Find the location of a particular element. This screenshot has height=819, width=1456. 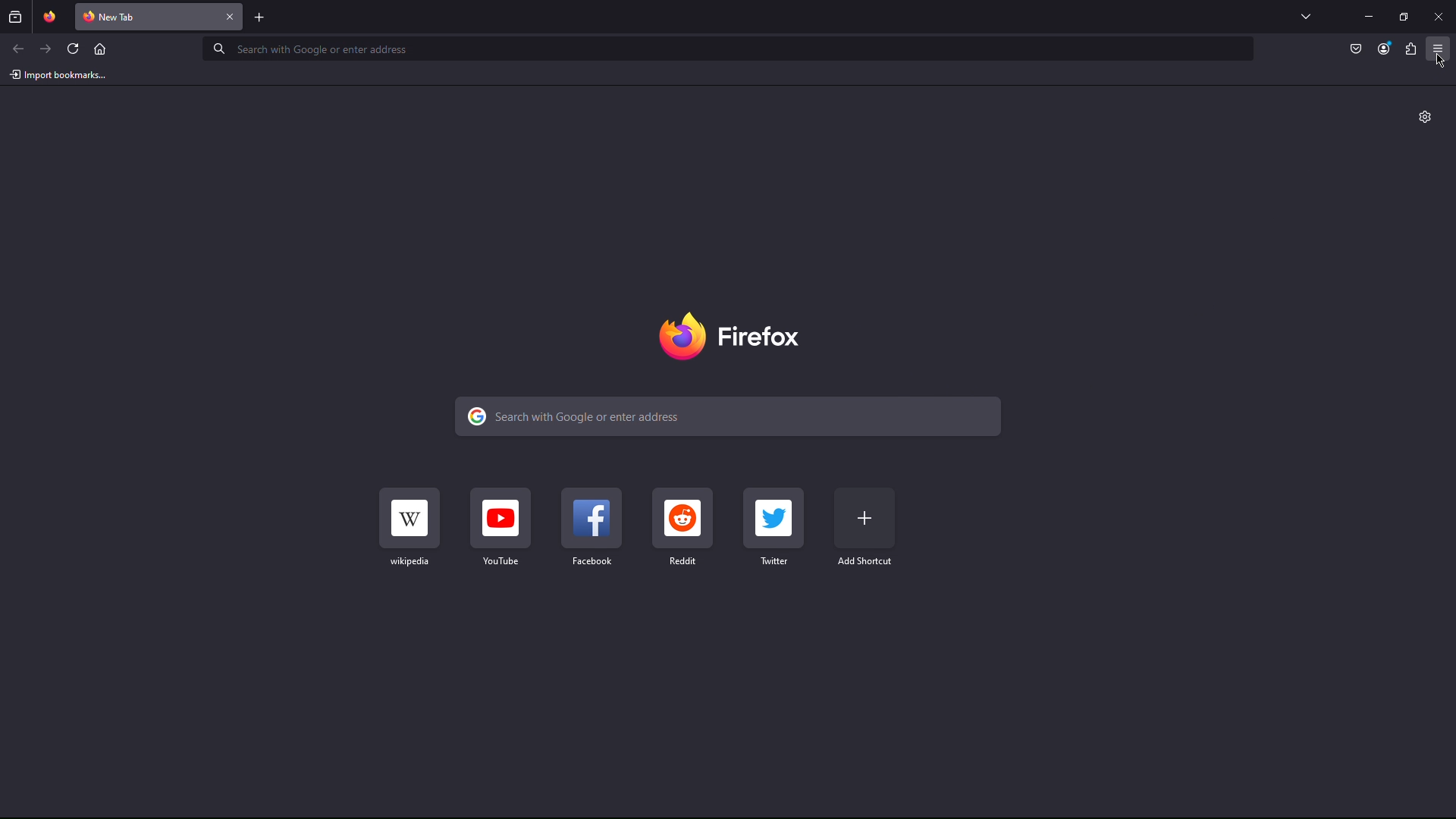

Home page is located at coordinates (99, 48).